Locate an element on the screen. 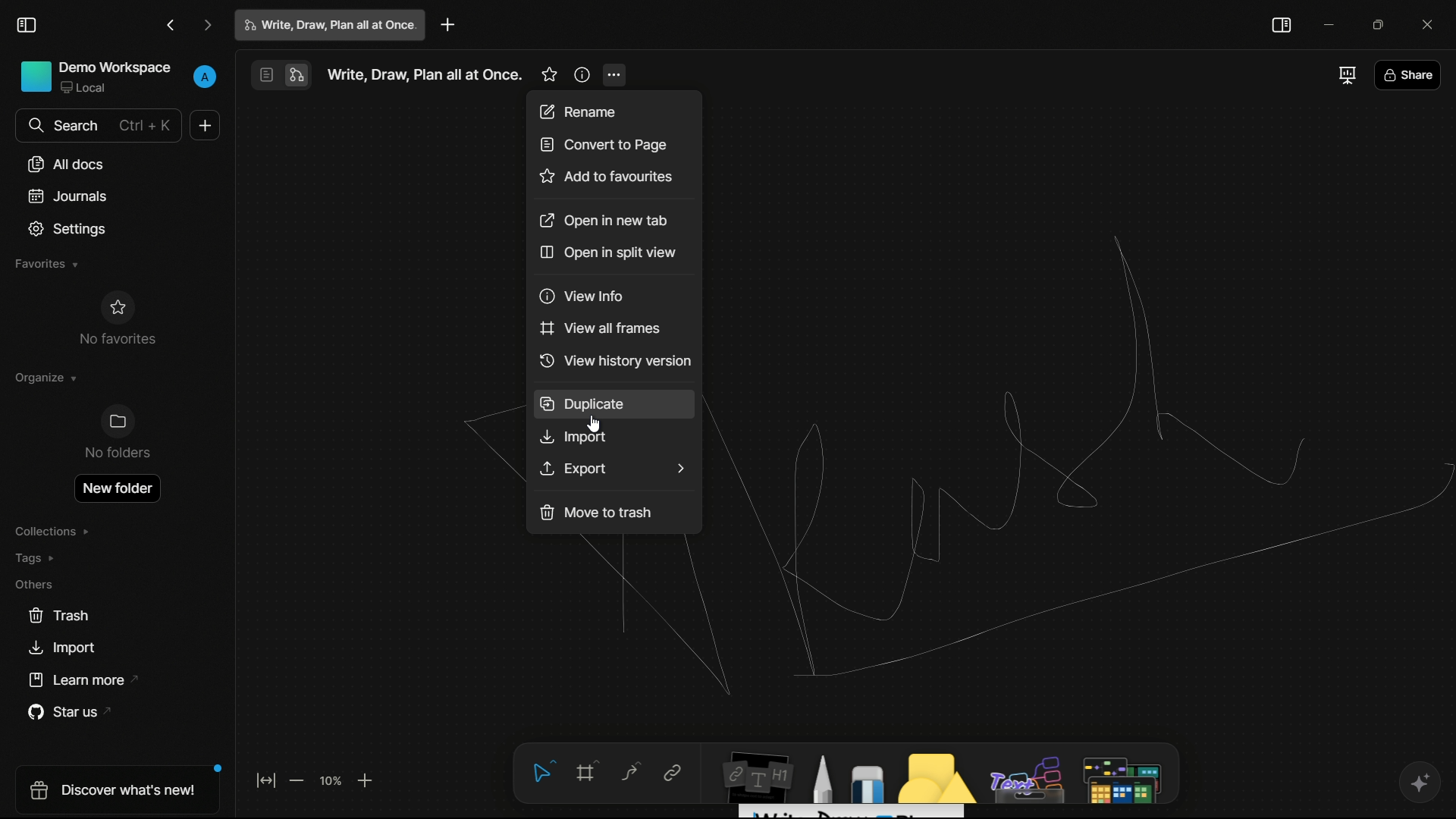  link is located at coordinates (674, 773).